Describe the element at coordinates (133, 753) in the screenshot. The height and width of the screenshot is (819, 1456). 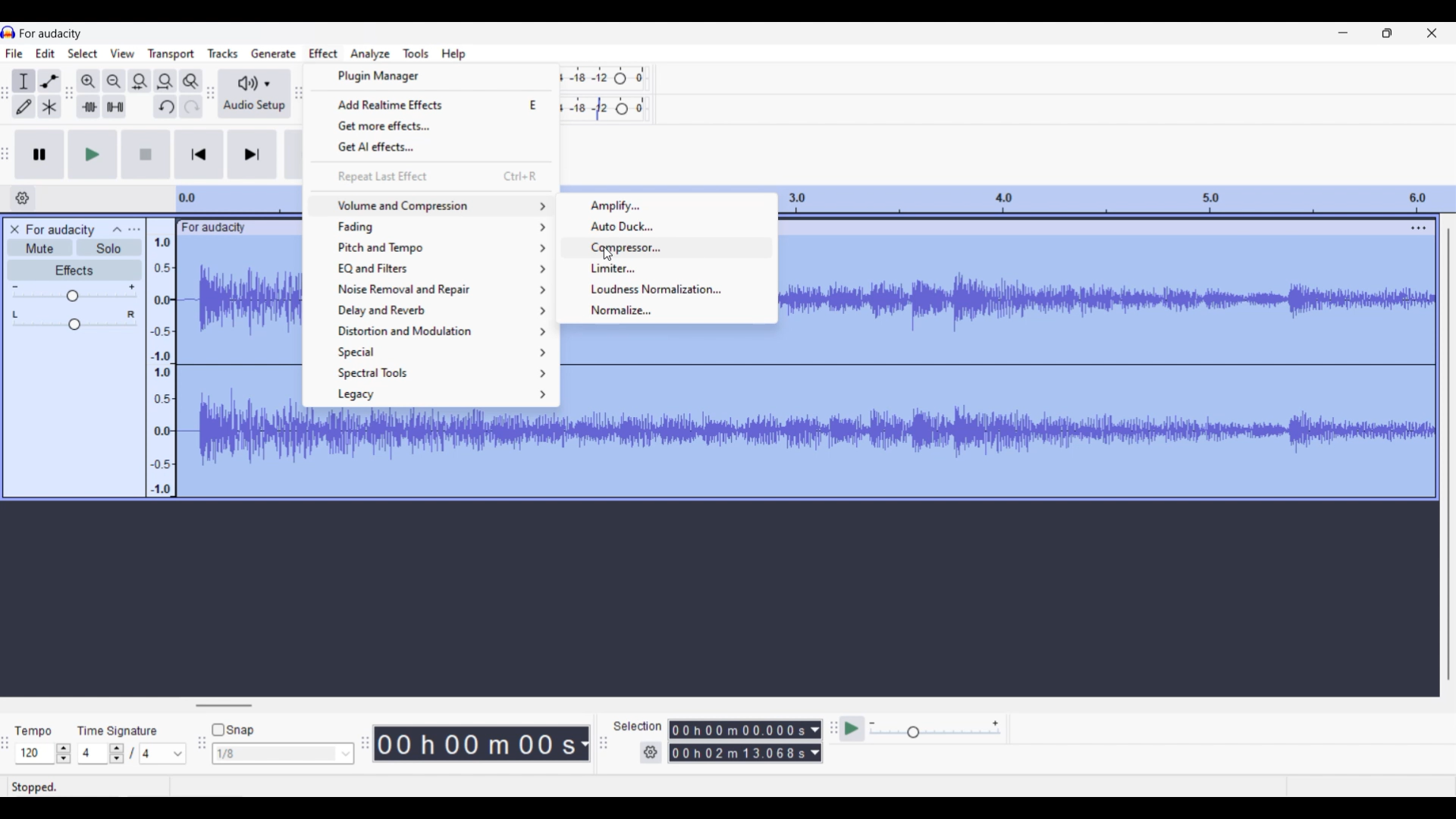
I see `Time signature settings` at that location.